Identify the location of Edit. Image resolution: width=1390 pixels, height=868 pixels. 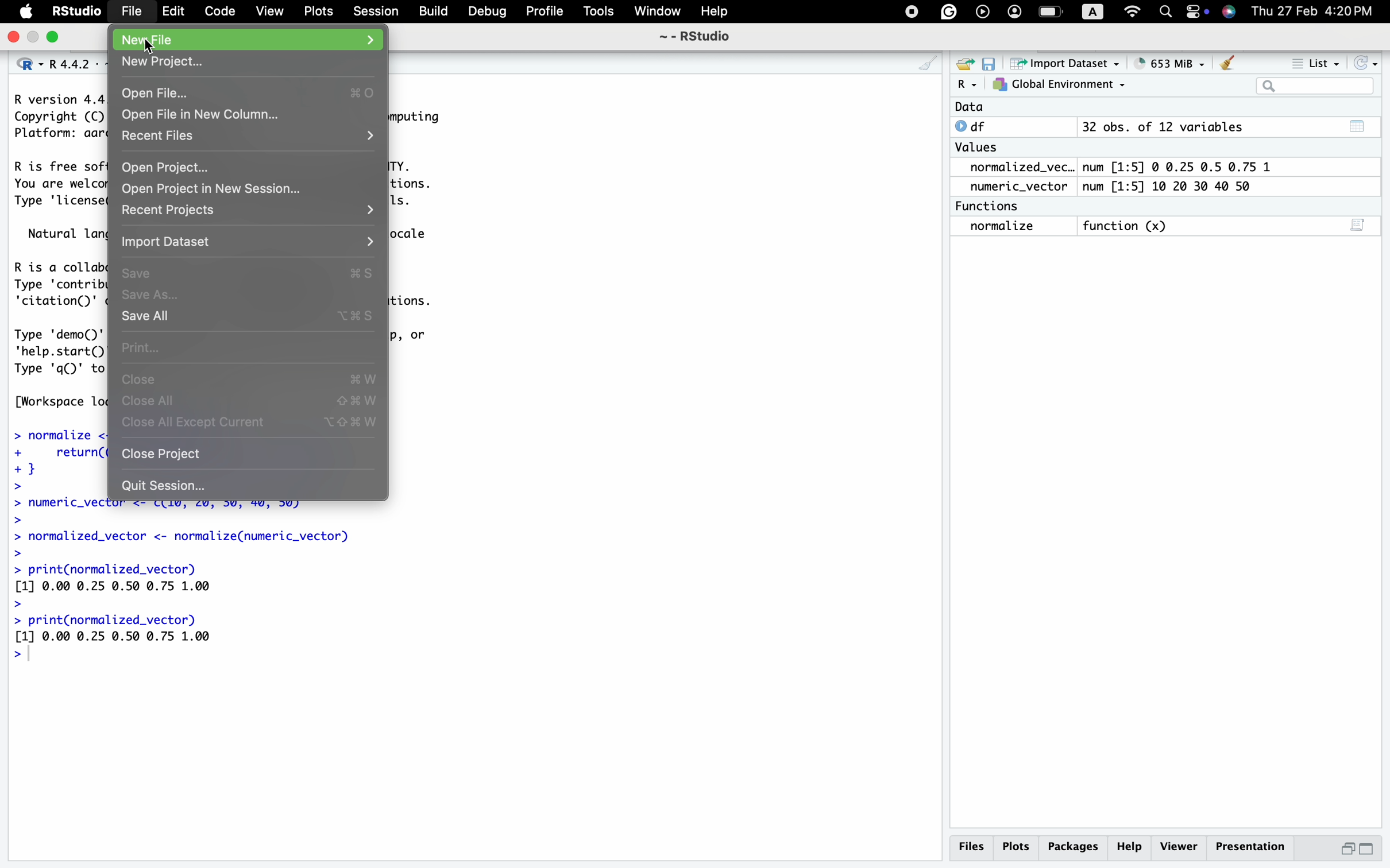
(173, 12).